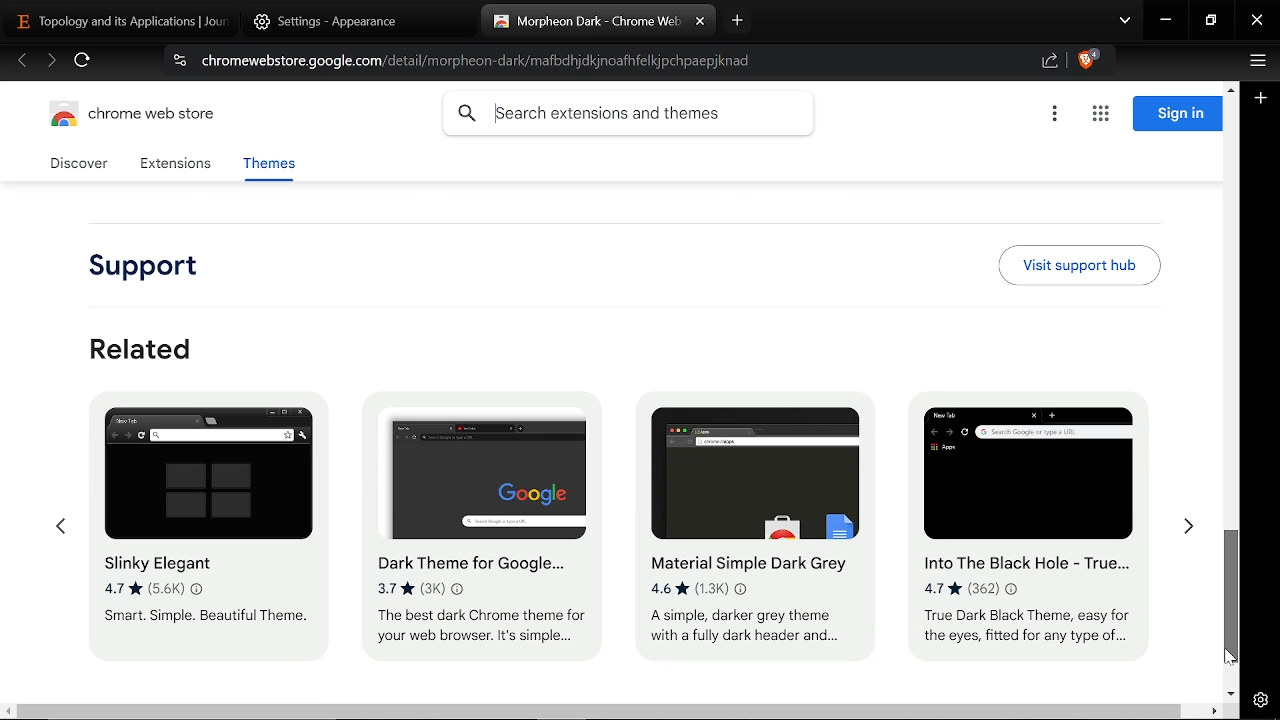 The width and height of the screenshot is (1280, 720). What do you see at coordinates (738, 20) in the screenshot?
I see `New tab` at bounding box center [738, 20].